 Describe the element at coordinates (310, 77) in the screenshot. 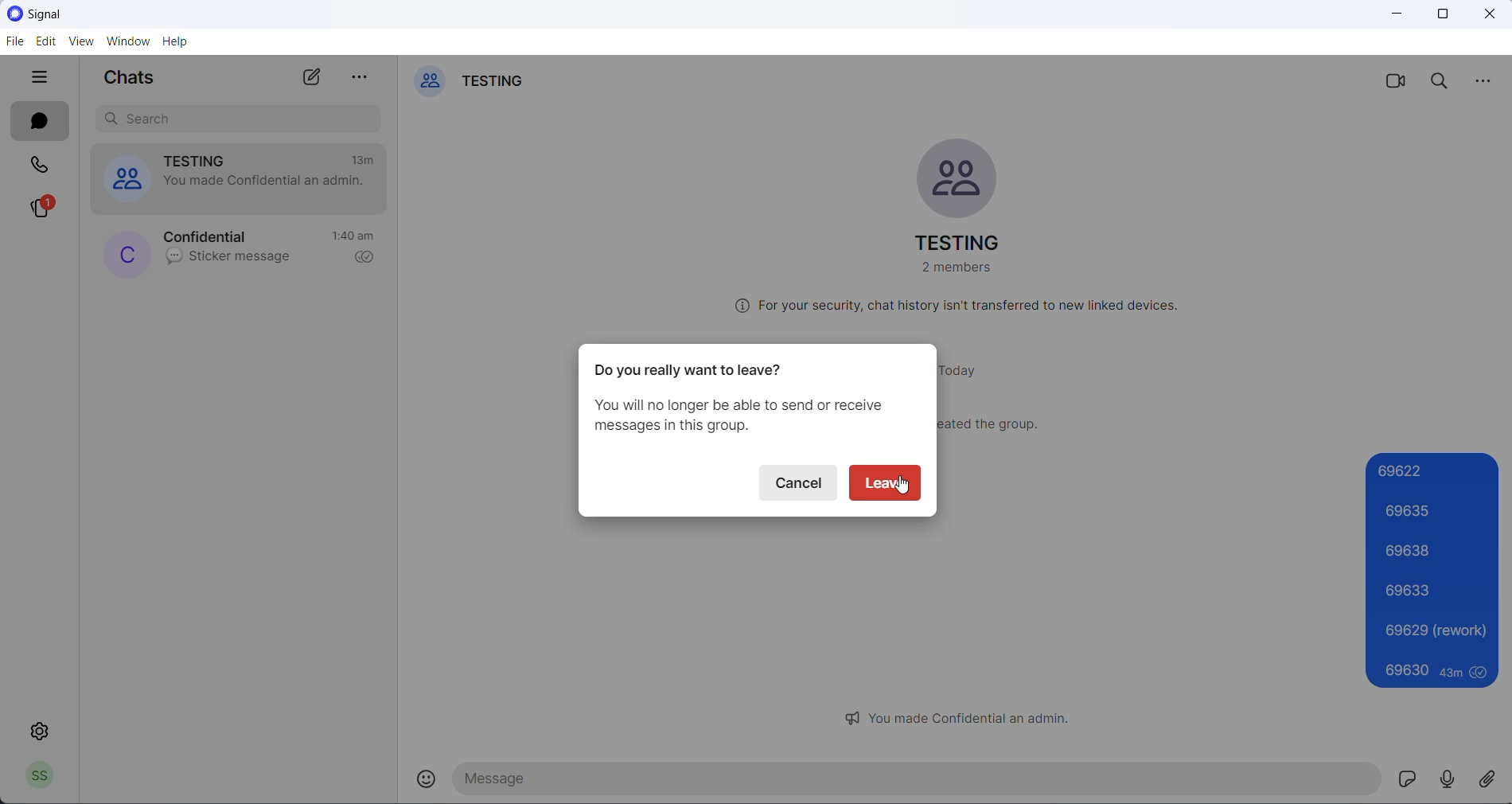

I see `new chat` at that location.